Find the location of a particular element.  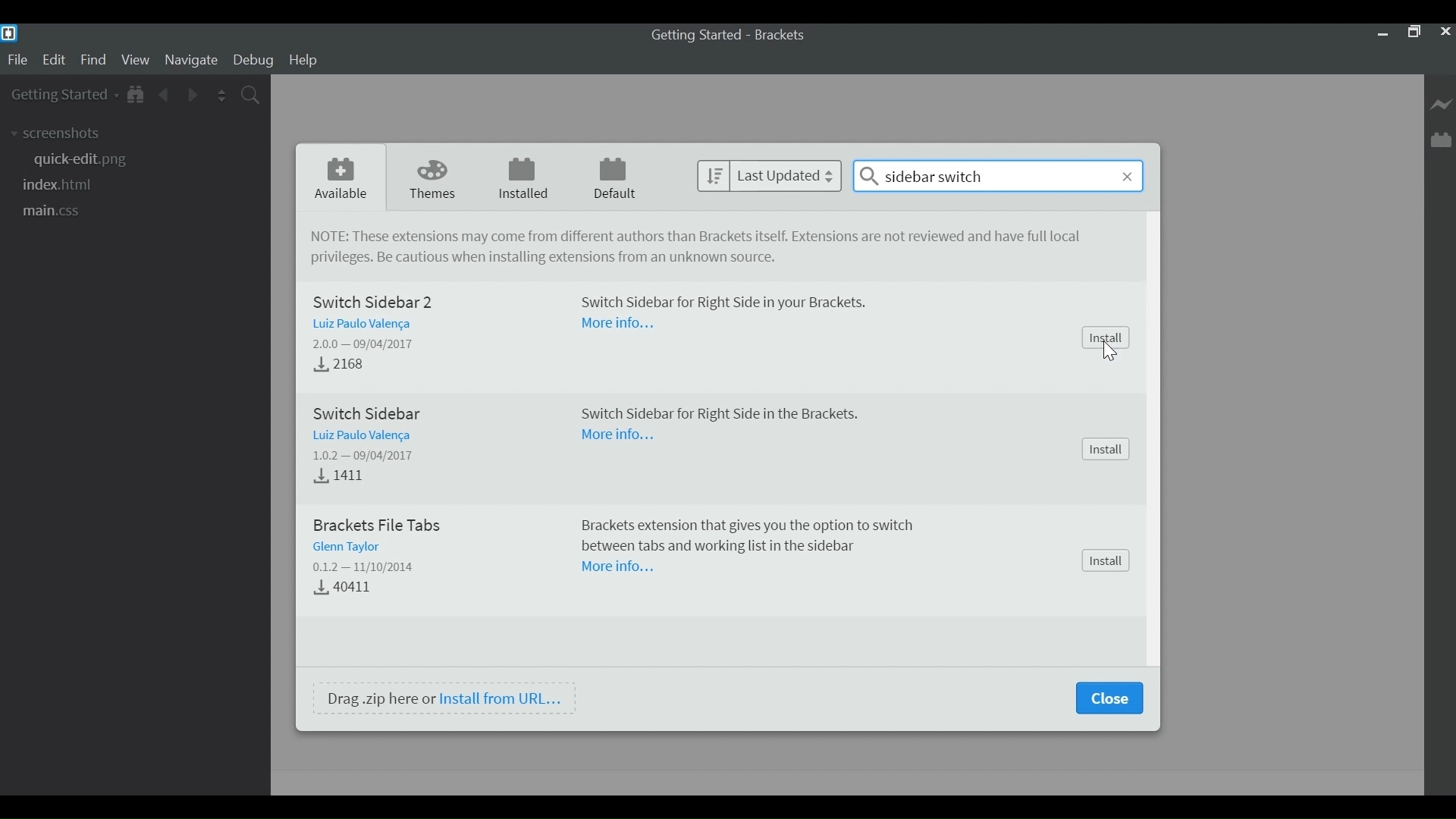

Switch Sidebar for right side in your Brackets is located at coordinates (719, 304).